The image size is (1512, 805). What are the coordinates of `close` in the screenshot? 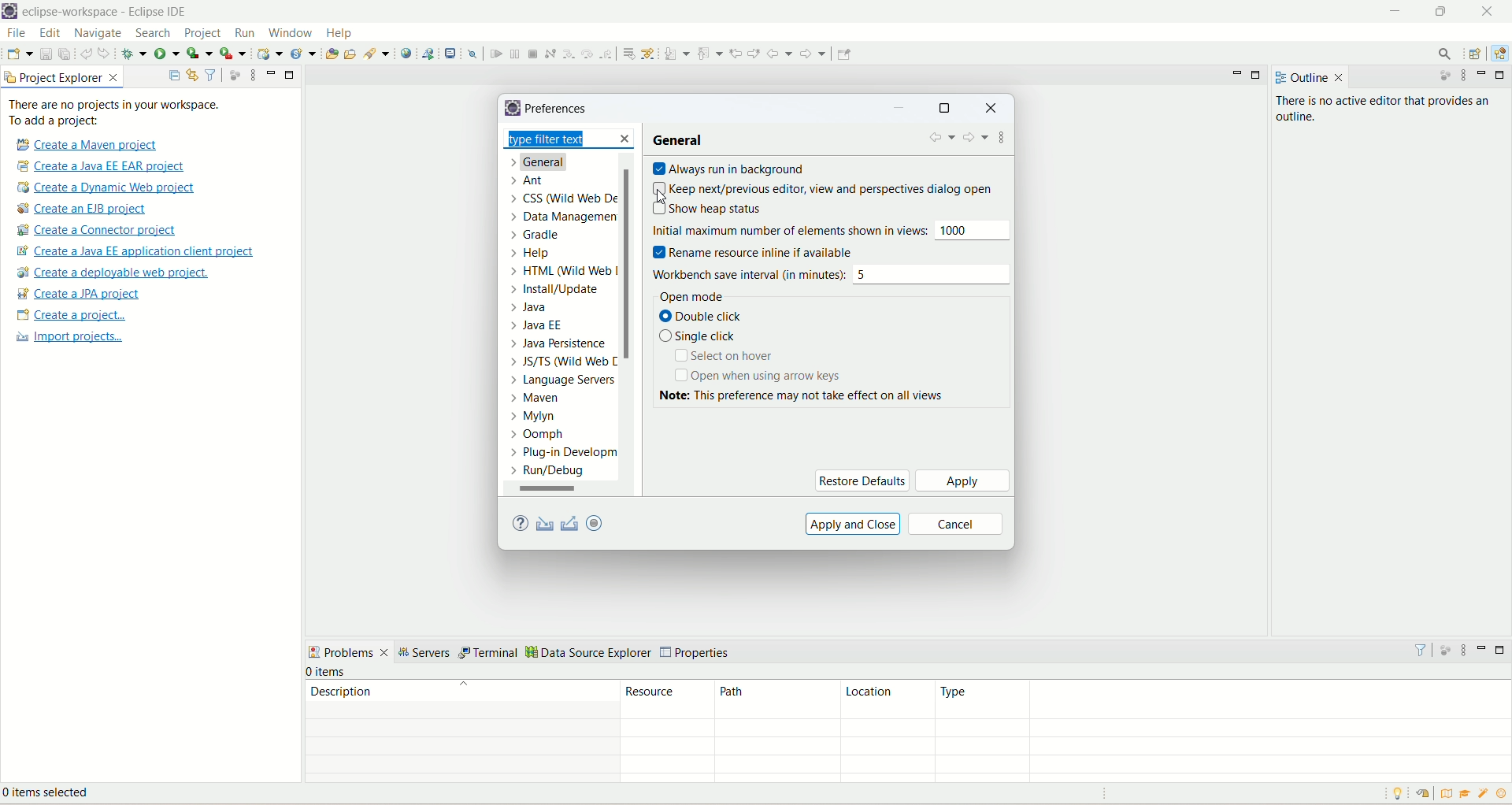 It's located at (991, 109).